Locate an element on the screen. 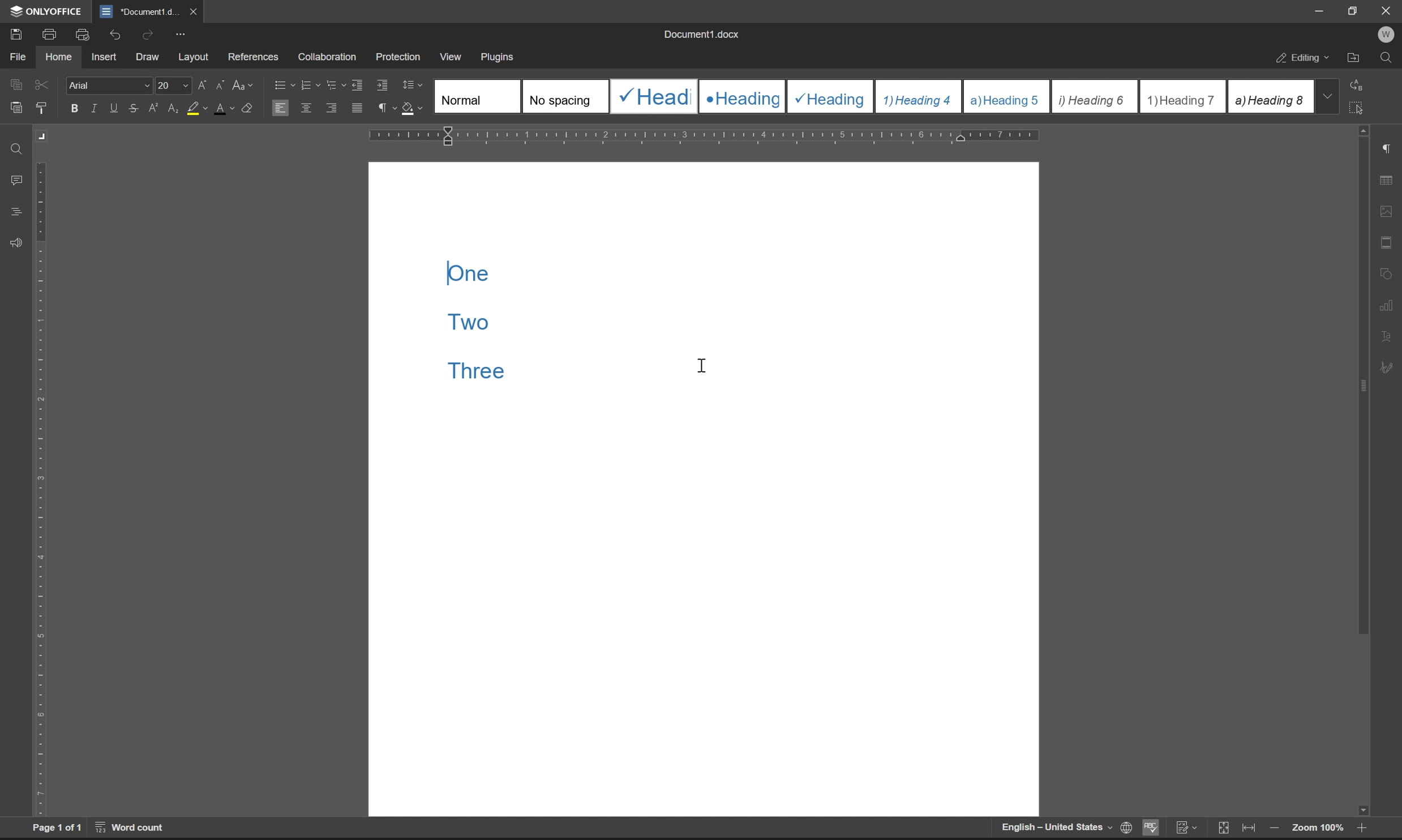 Image resolution: width=1402 pixels, height=840 pixels. redo is located at coordinates (150, 34).